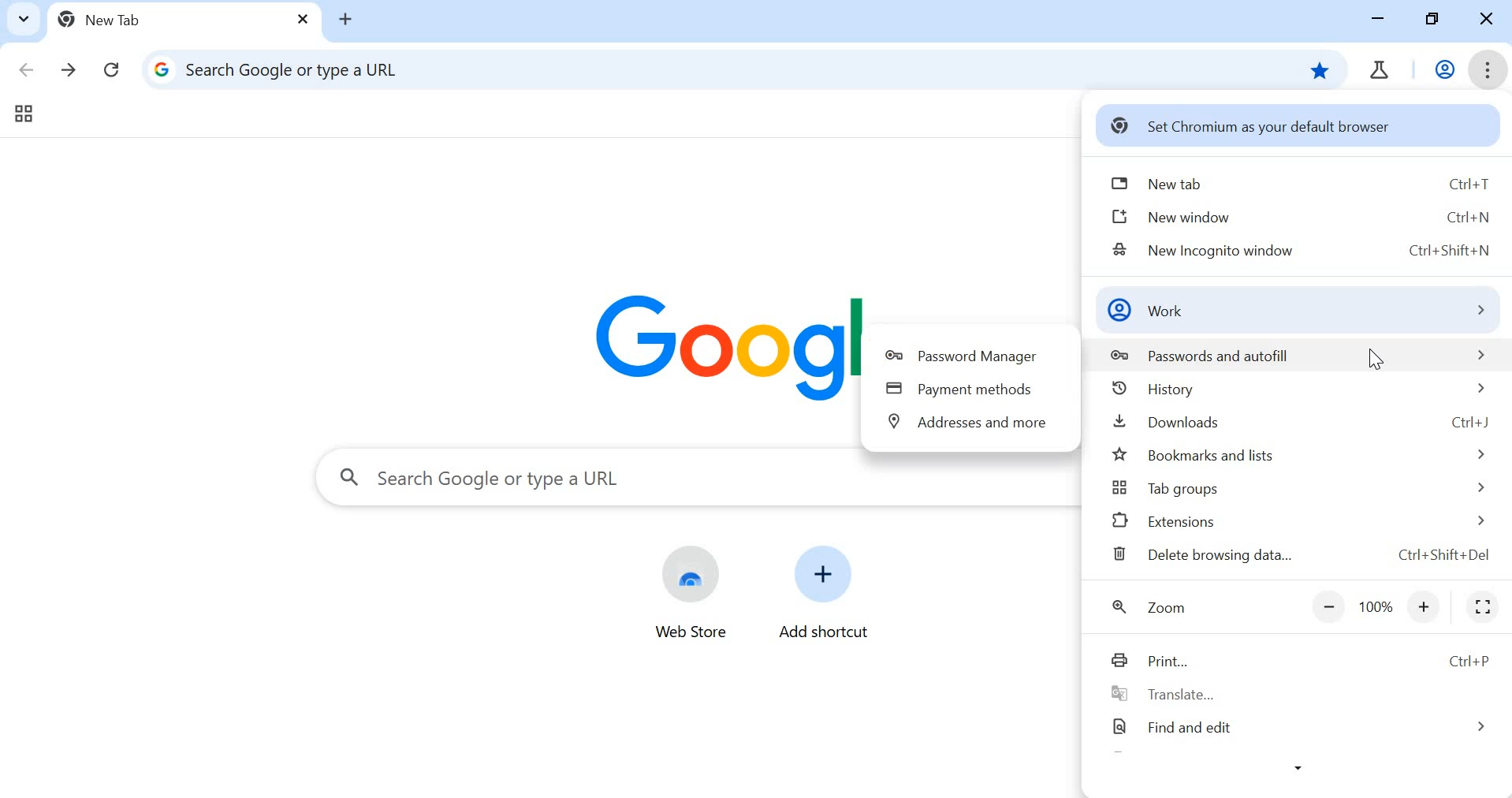  What do you see at coordinates (1289, 355) in the screenshot?
I see `passwords and autofill` at bounding box center [1289, 355].